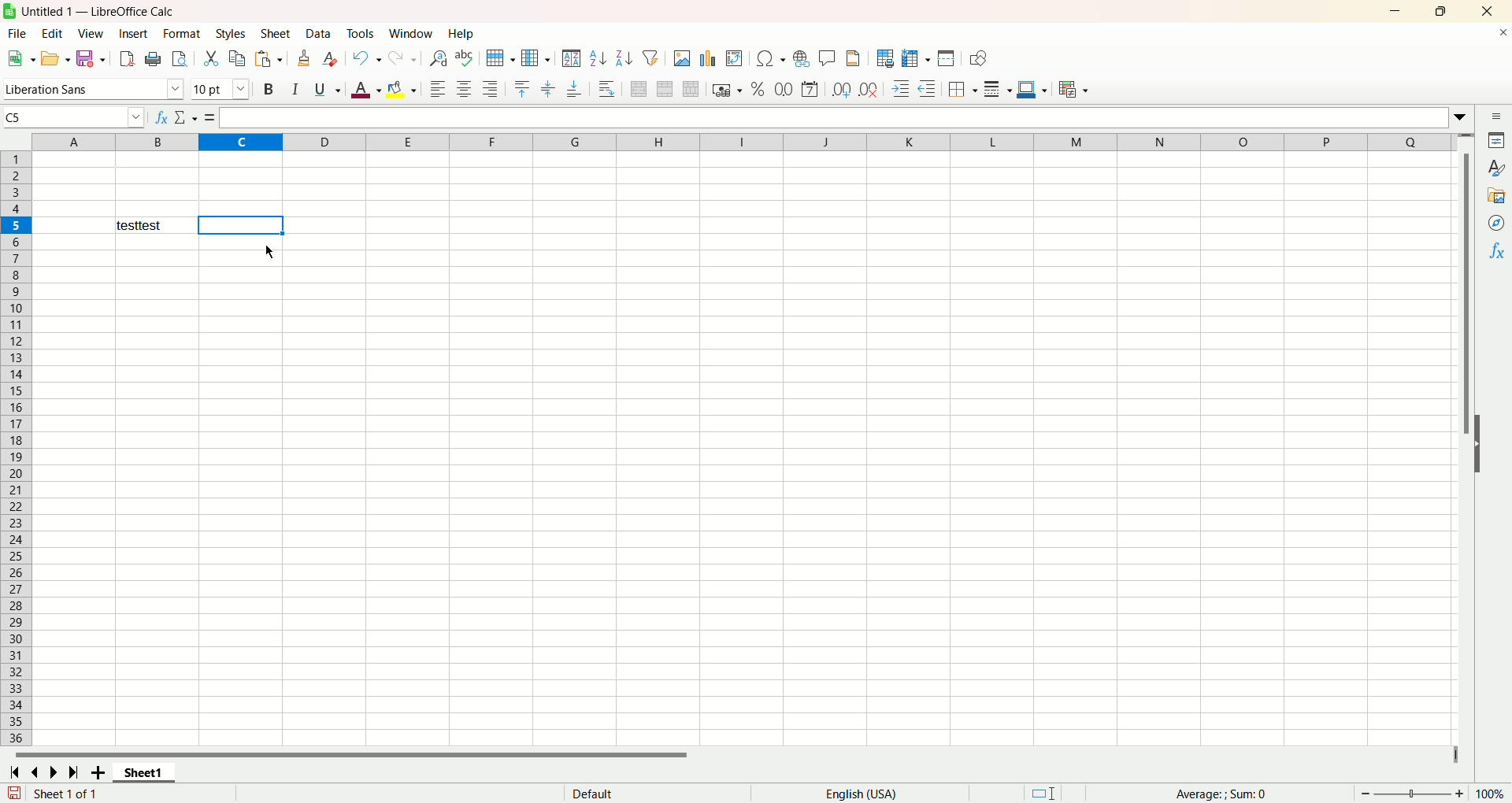 This screenshot has height=803, width=1512. I want to click on default, so click(651, 794).